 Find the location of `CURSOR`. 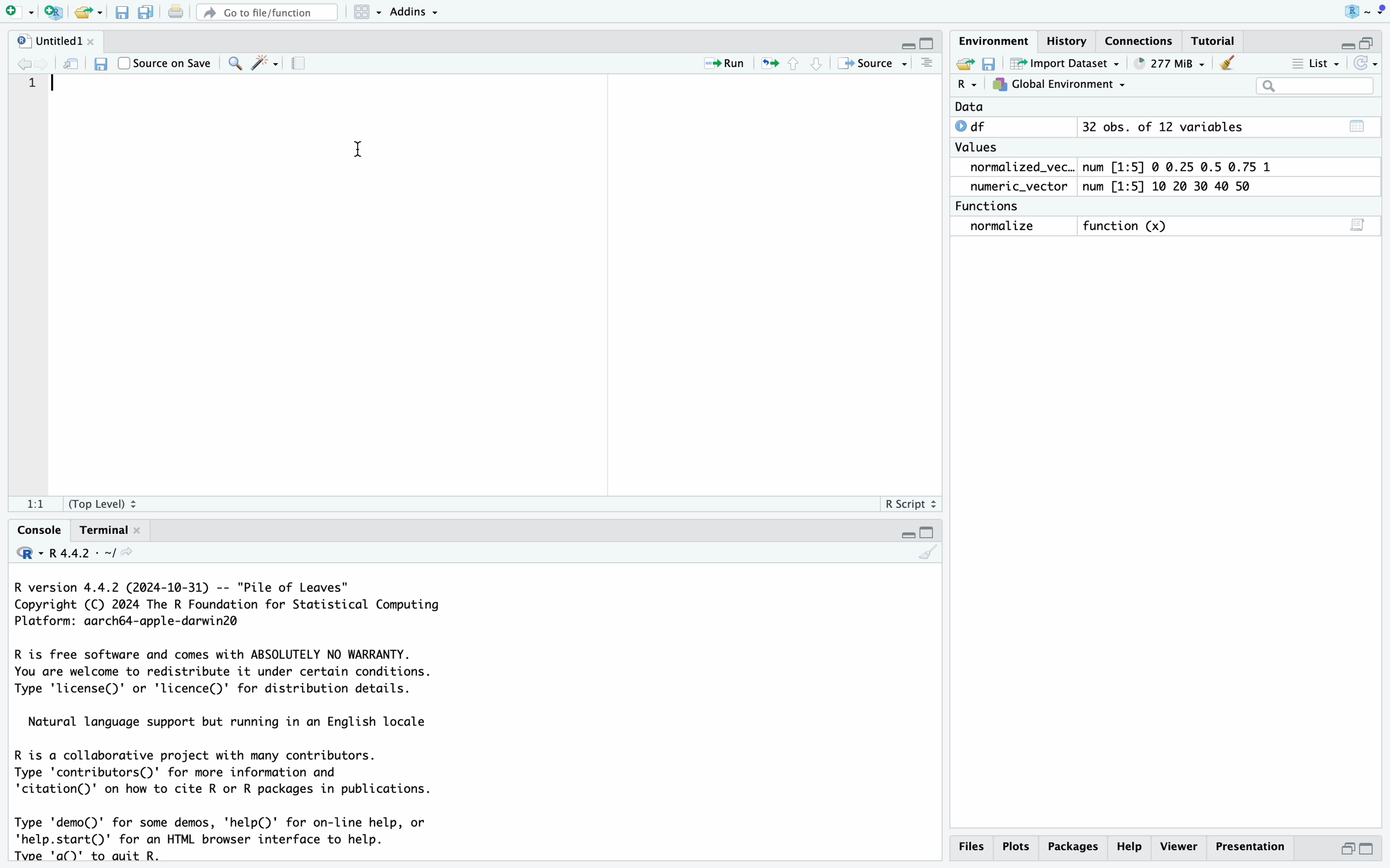

CURSOR is located at coordinates (57, 83).